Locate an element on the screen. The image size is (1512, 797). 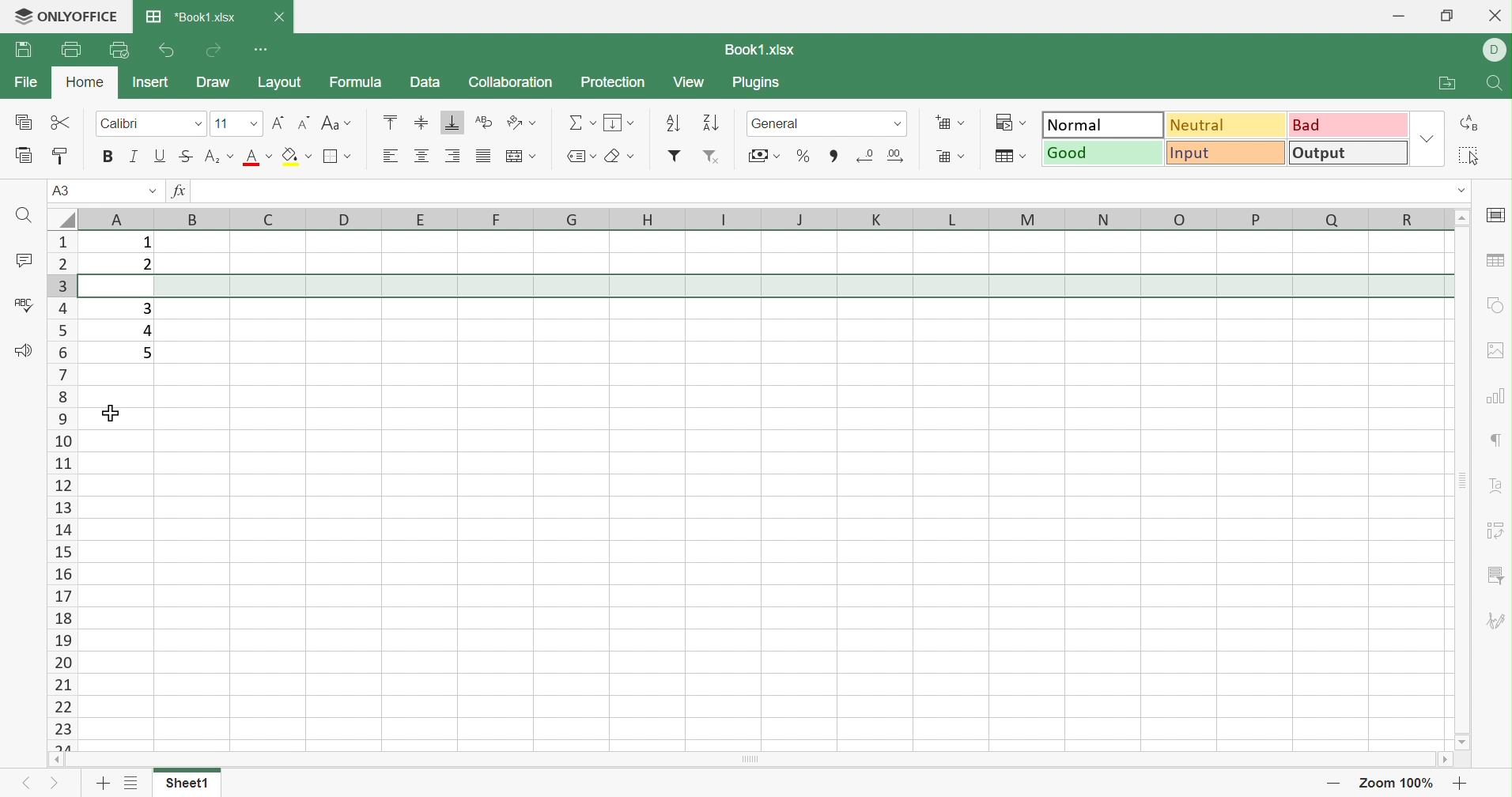
Insert cells is located at coordinates (939, 155).